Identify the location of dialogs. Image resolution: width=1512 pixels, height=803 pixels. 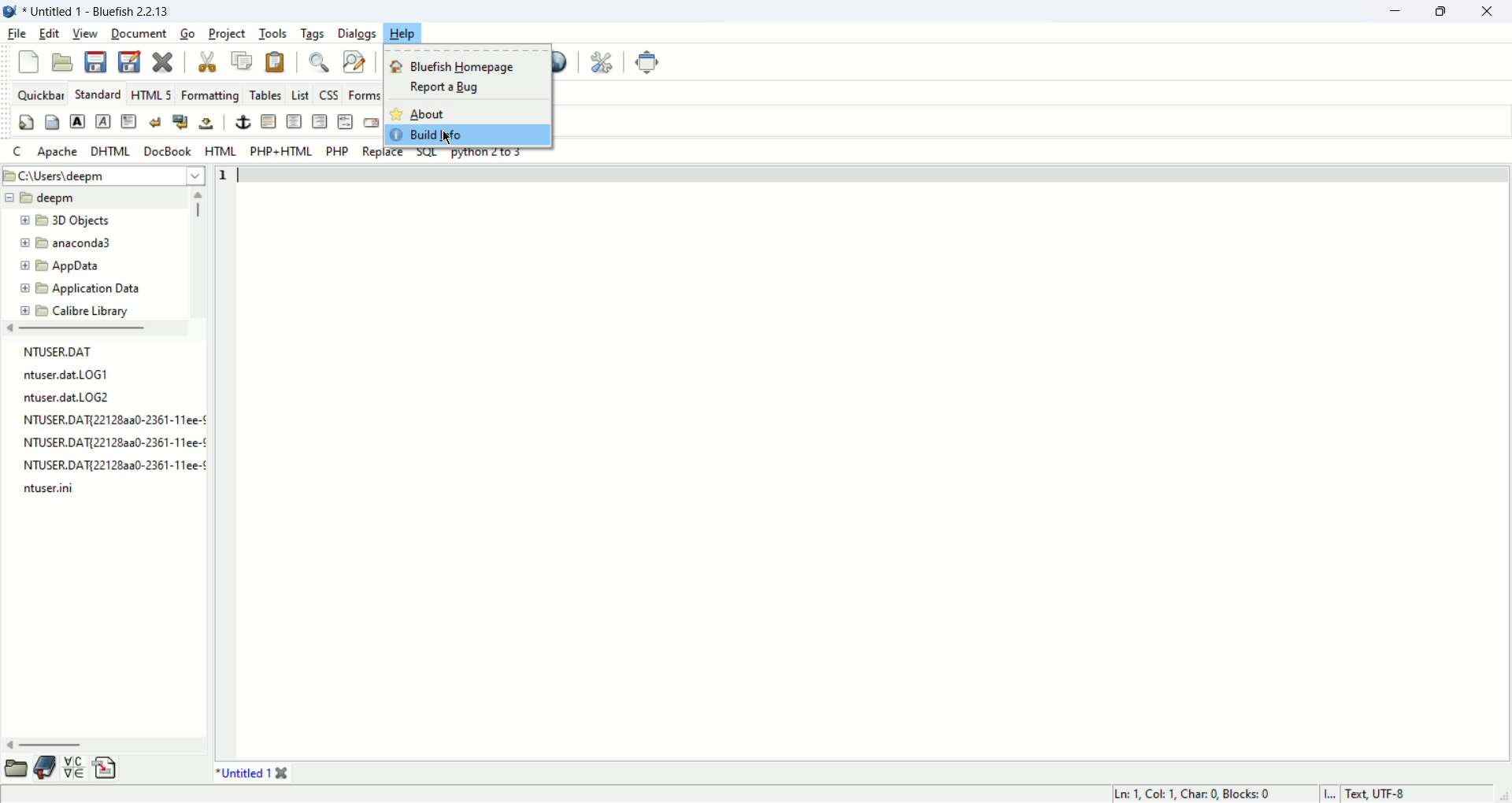
(357, 32).